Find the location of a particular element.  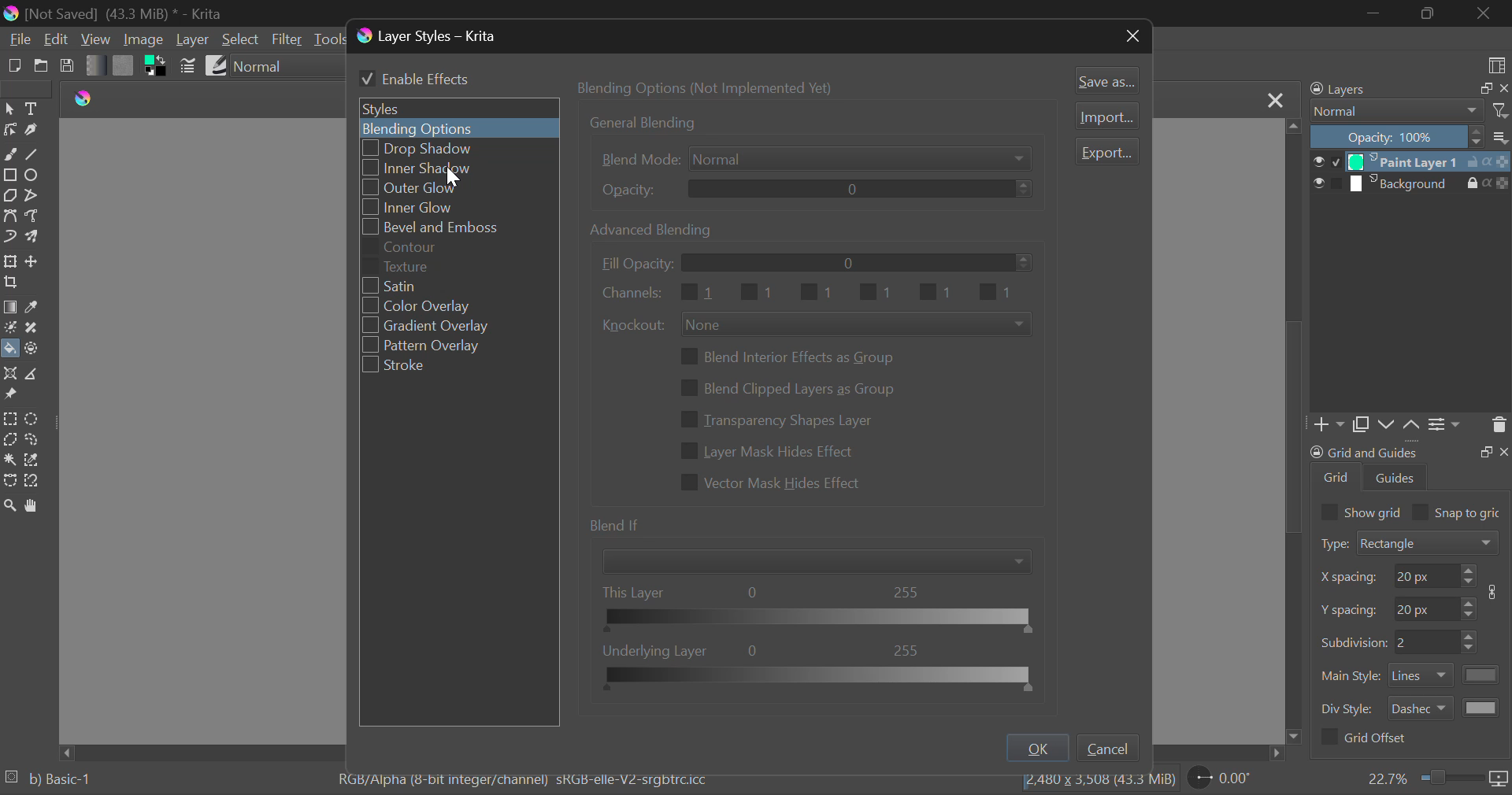

Multibrush Tool is located at coordinates (35, 238).